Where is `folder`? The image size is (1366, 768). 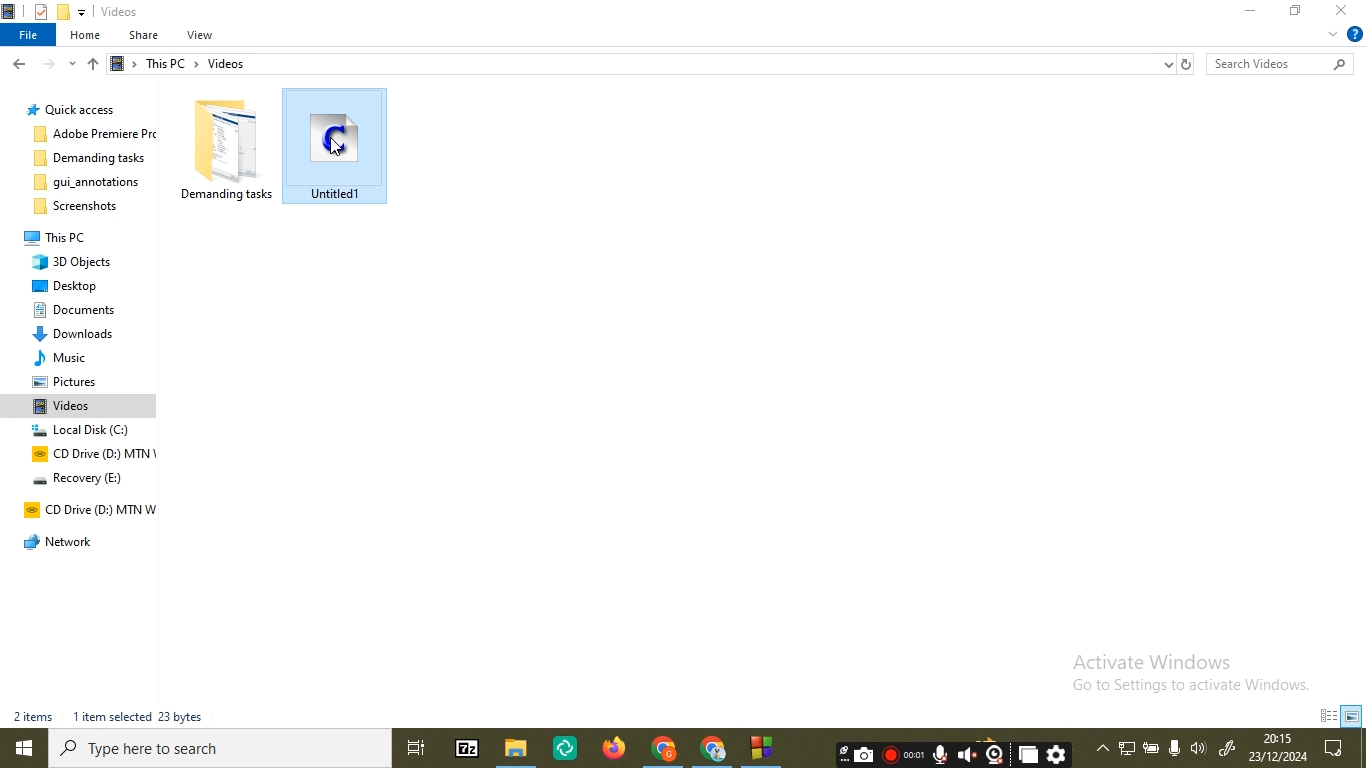 folder is located at coordinates (55, 236).